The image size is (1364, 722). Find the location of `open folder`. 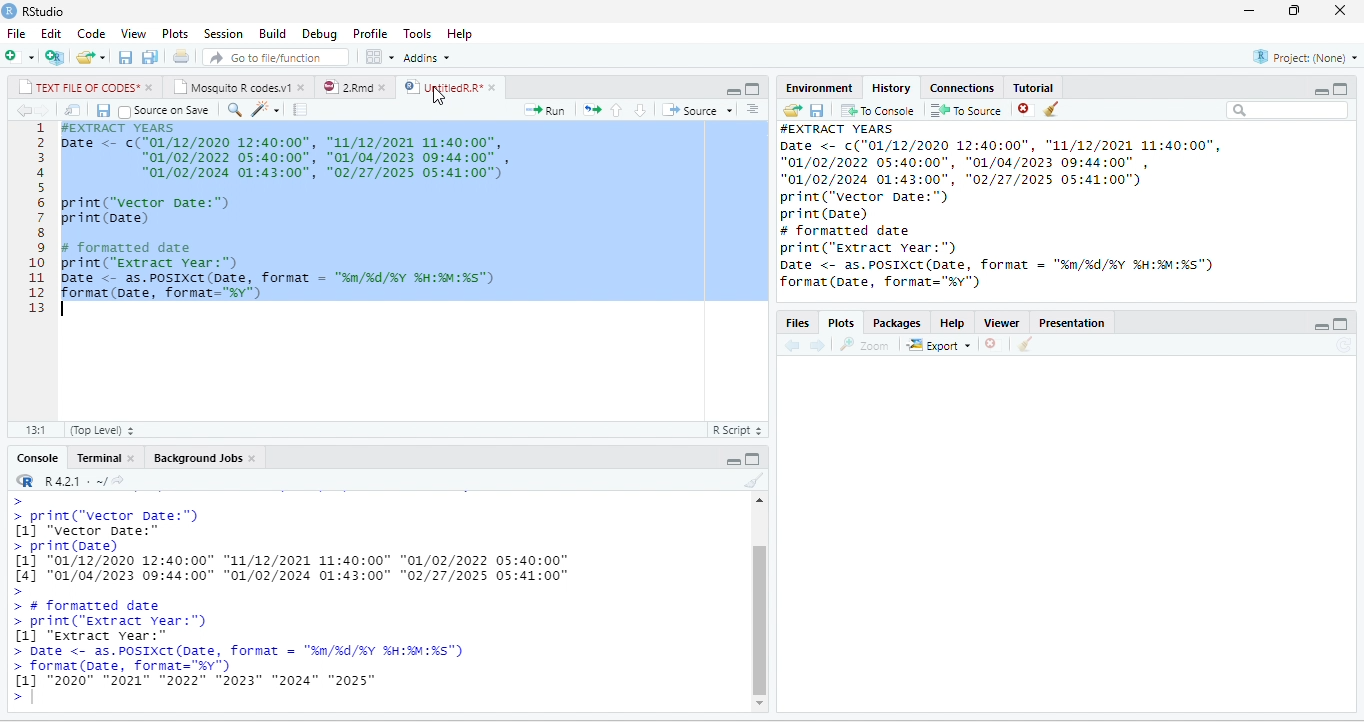

open folder is located at coordinates (793, 110).